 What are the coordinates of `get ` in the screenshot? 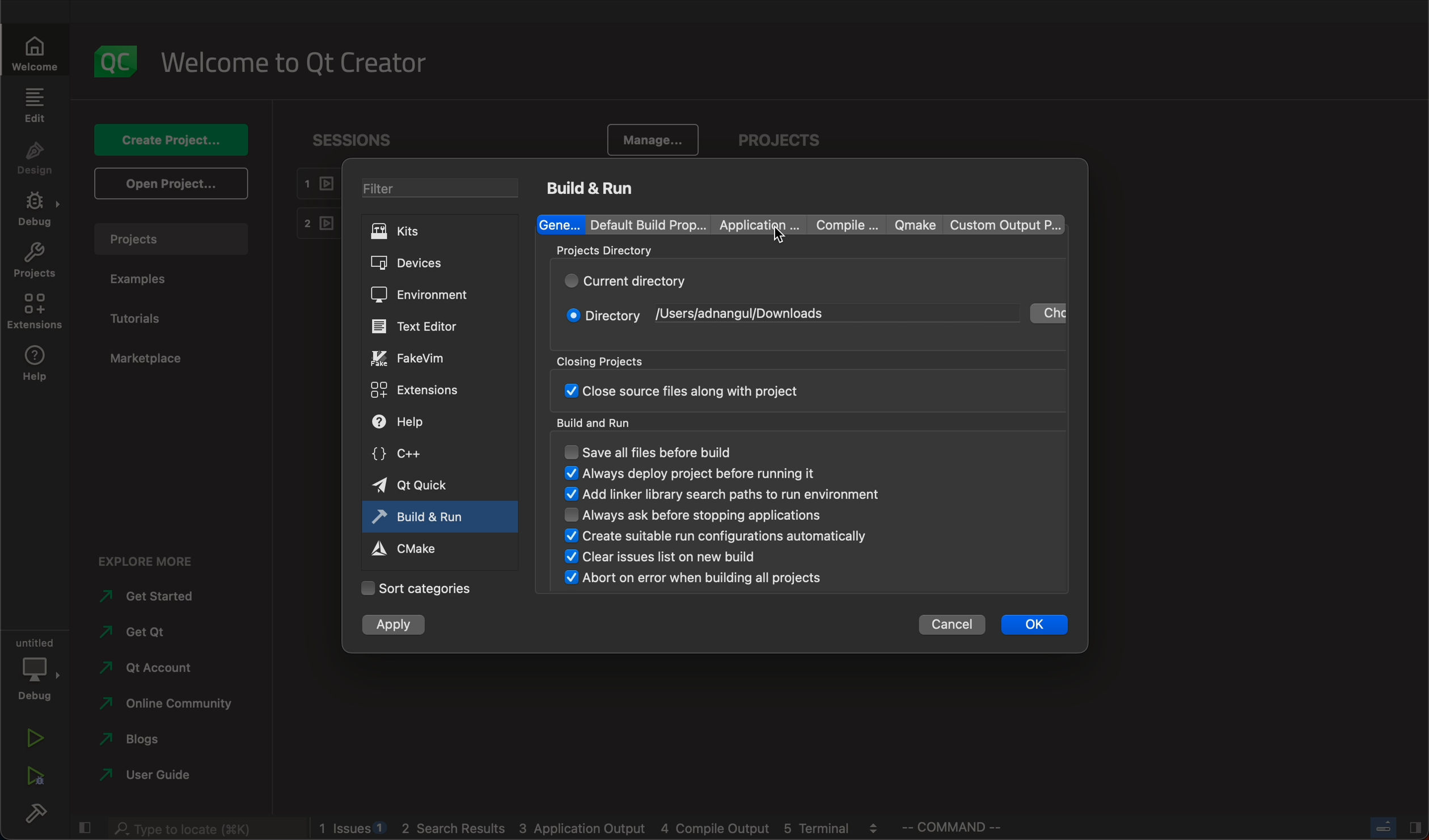 It's located at (158, 632).